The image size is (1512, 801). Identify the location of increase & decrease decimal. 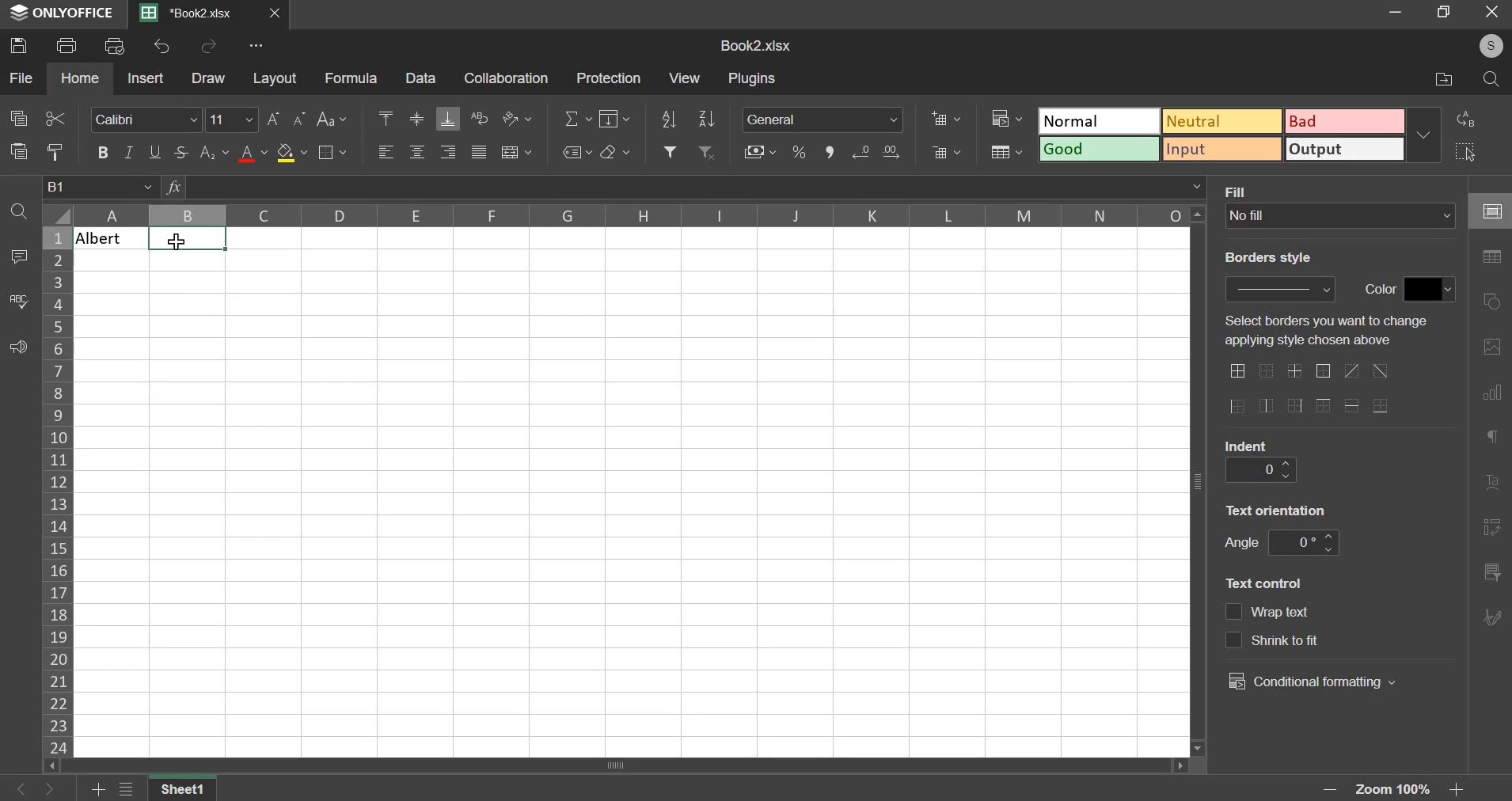
(876, 151).